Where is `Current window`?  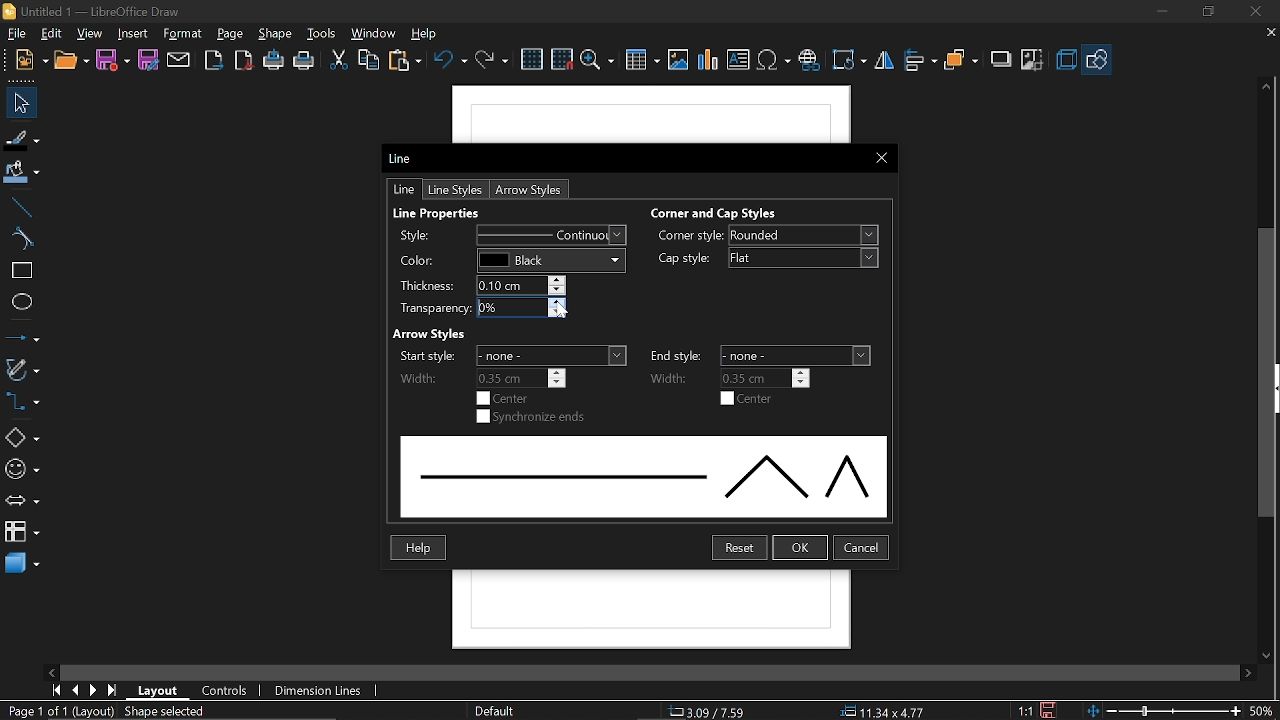
Current window is located at coordinates (402, 160).